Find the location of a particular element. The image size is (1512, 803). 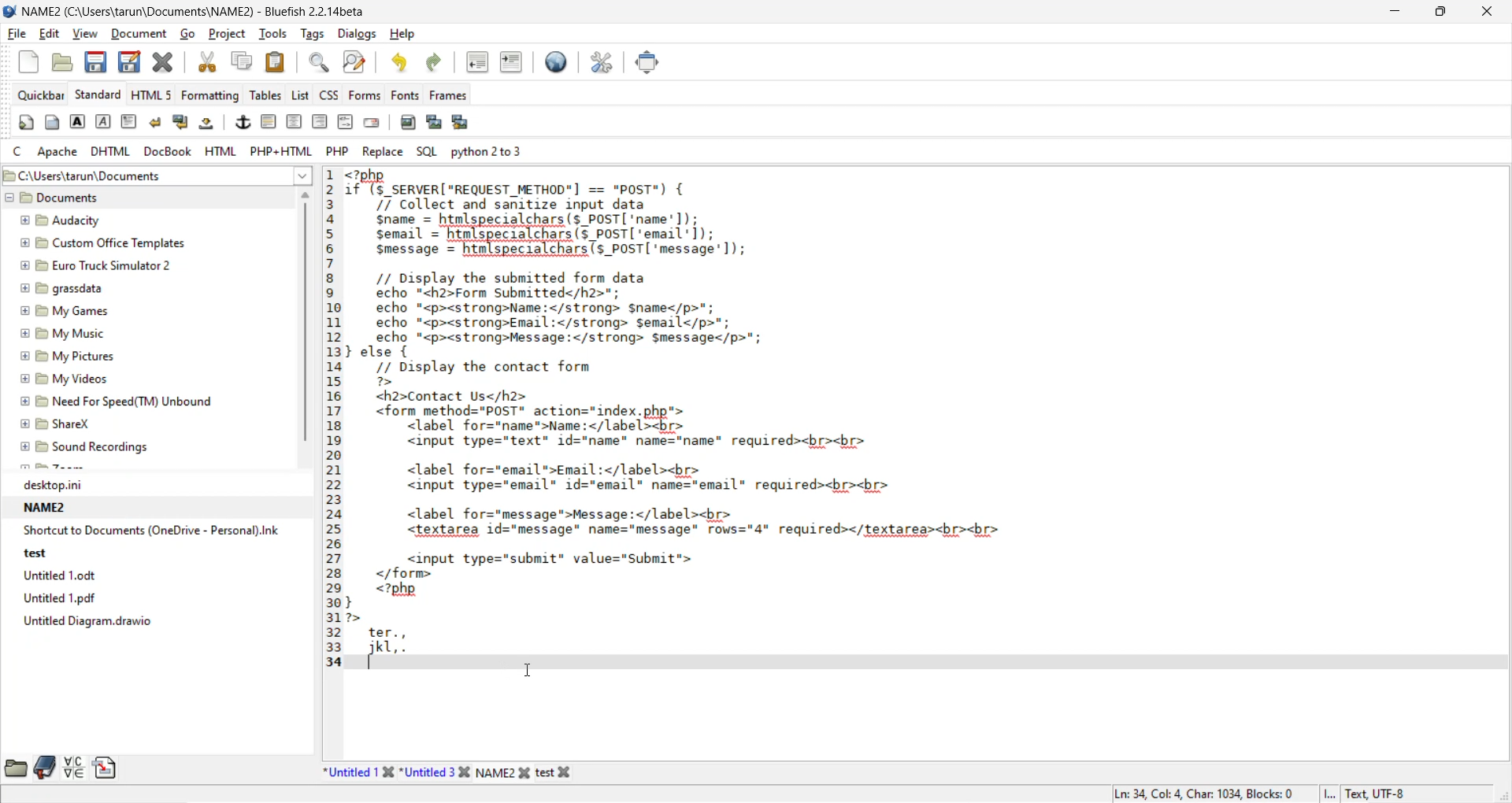

list is located at coordinates (302, 97).